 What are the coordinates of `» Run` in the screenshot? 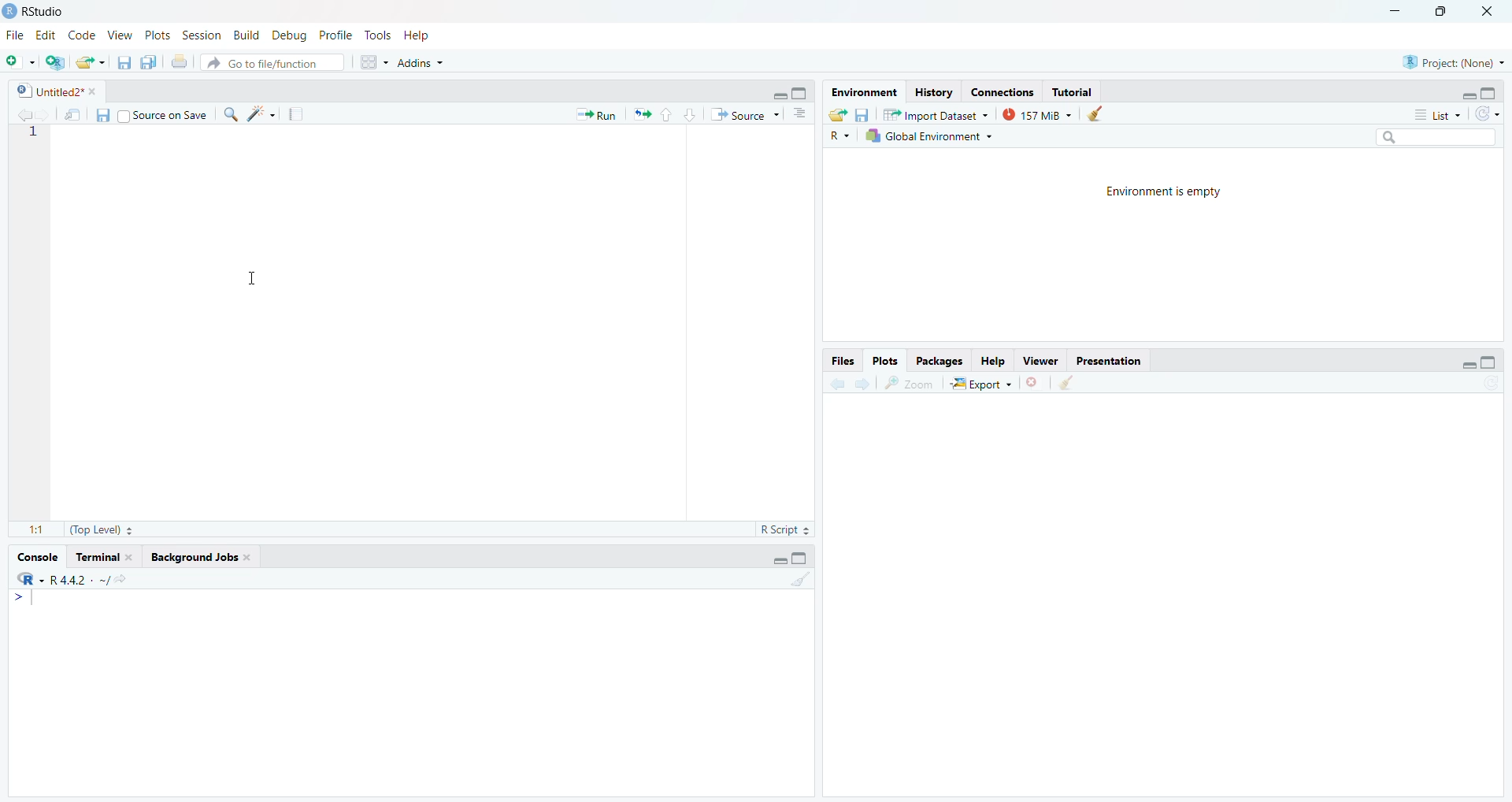 It's located at (600, 114).